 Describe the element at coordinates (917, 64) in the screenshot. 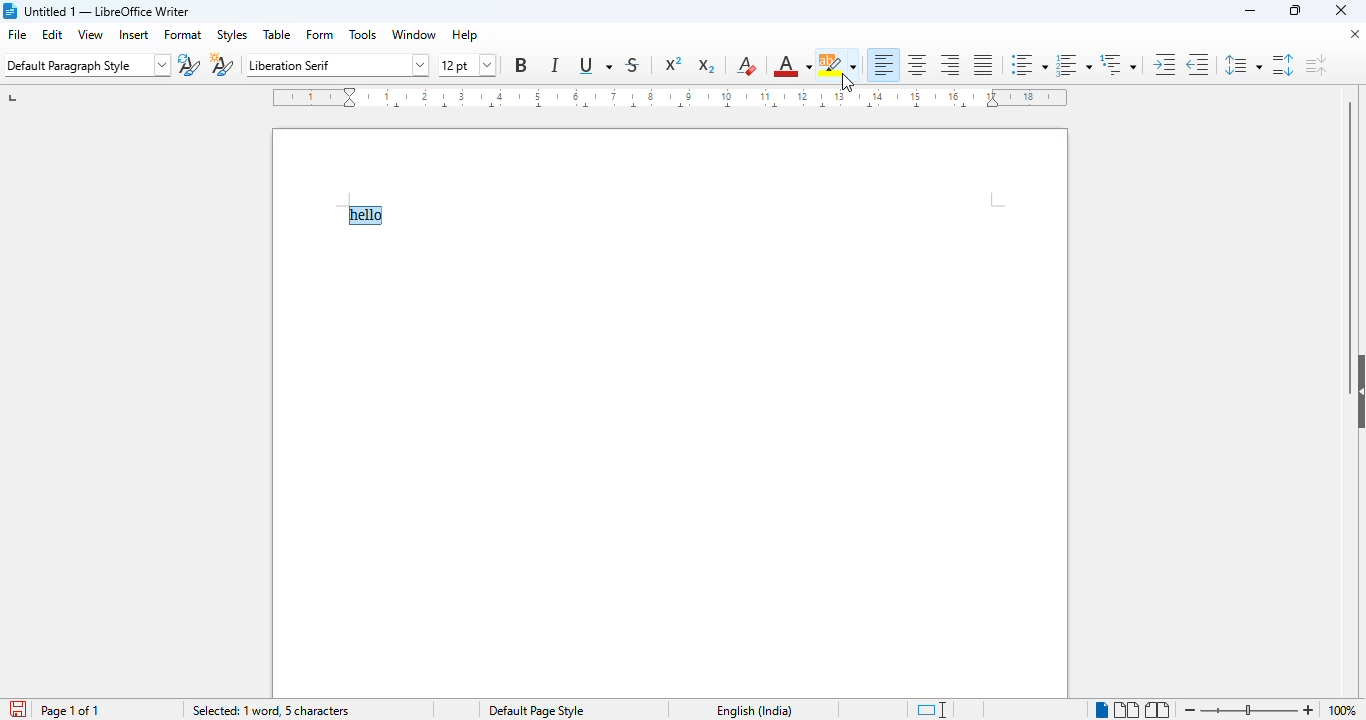

I see `align center` at that location.